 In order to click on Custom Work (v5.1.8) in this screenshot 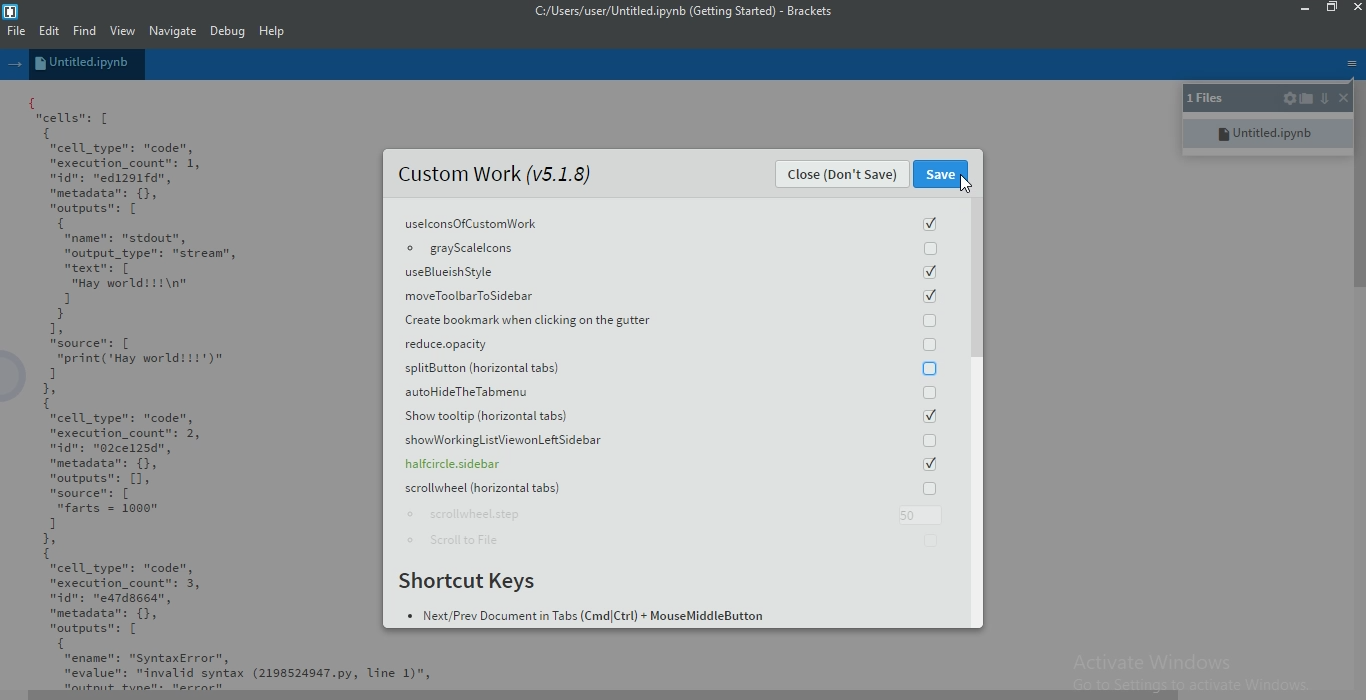, I will do `click(506, 171)`.